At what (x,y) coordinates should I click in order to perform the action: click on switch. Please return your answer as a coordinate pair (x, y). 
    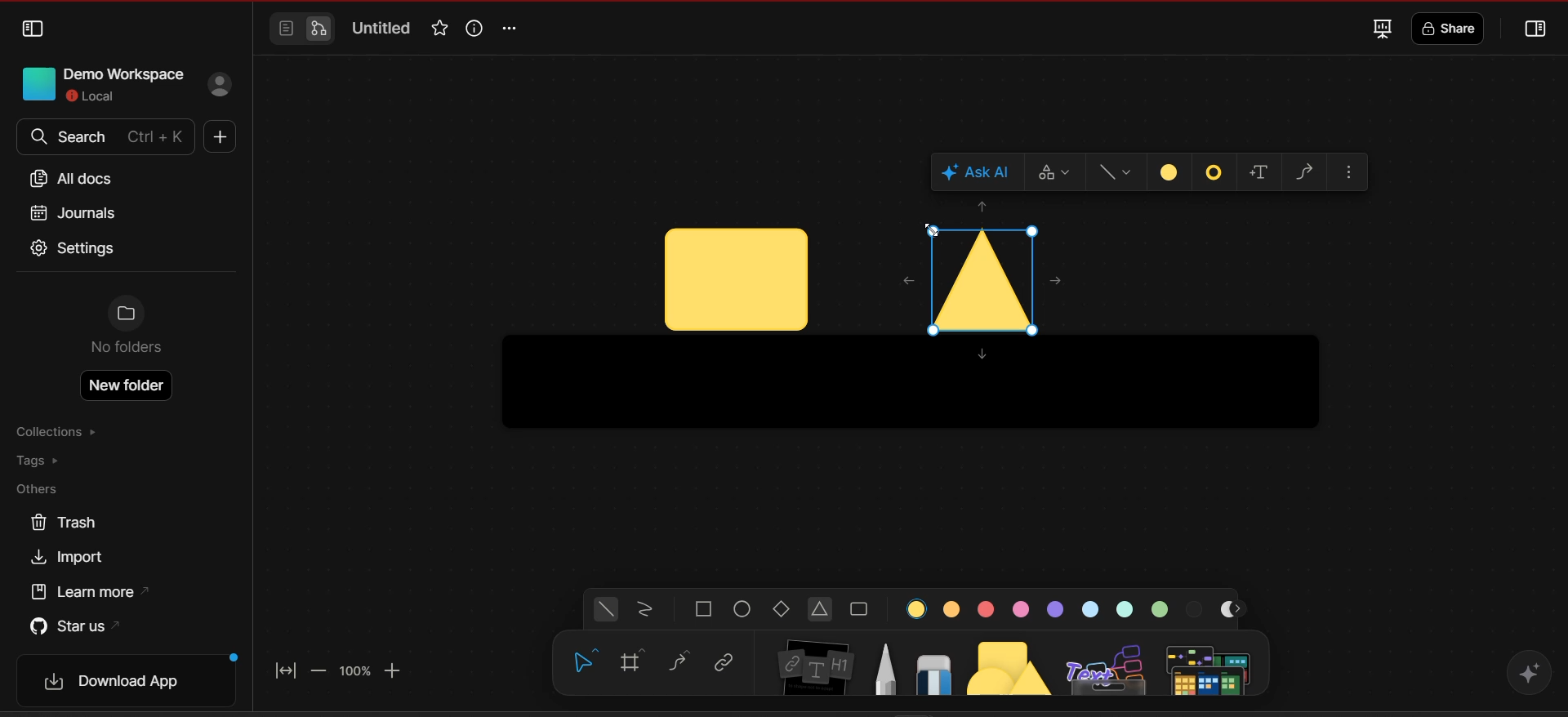
    Looking at the image, I should click on (301, 29).